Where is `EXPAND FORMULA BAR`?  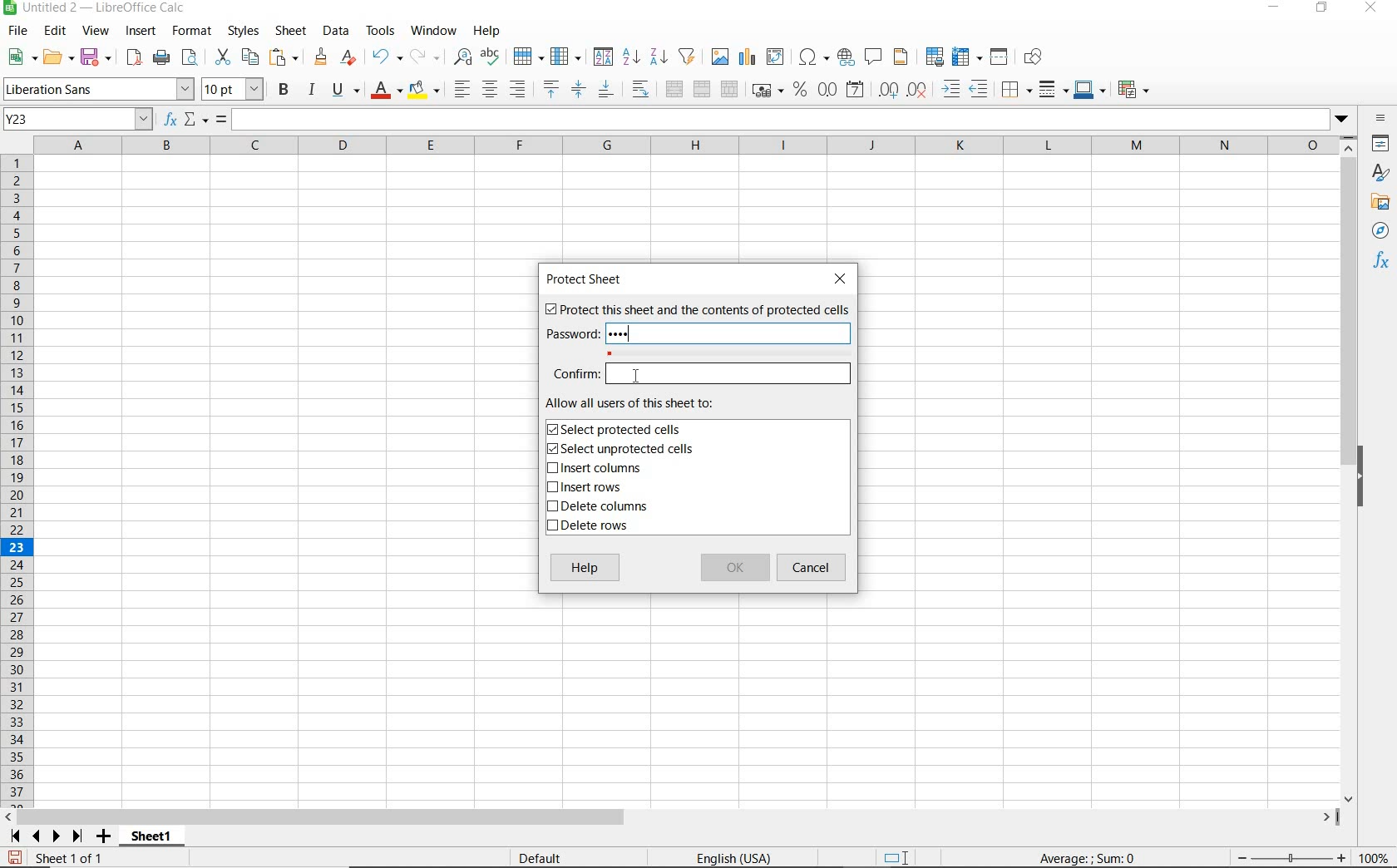 EXPAND FORMULA BAR is located at coordinates (794, 120).